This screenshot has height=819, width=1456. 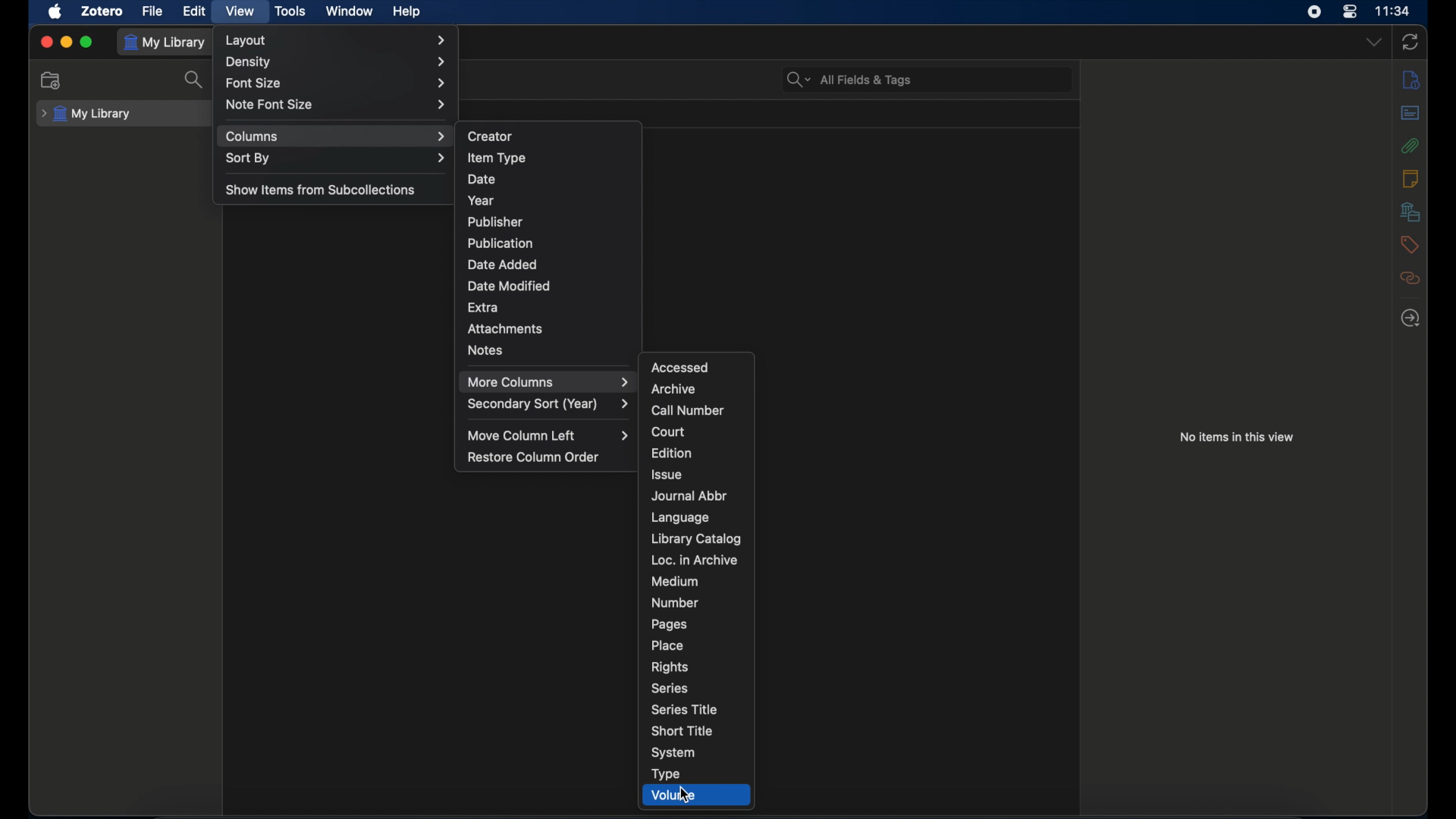 What do you see at coordinates (1410, 212) in the screenshot?
I see `libraries` at bounding box center [1410, 212].